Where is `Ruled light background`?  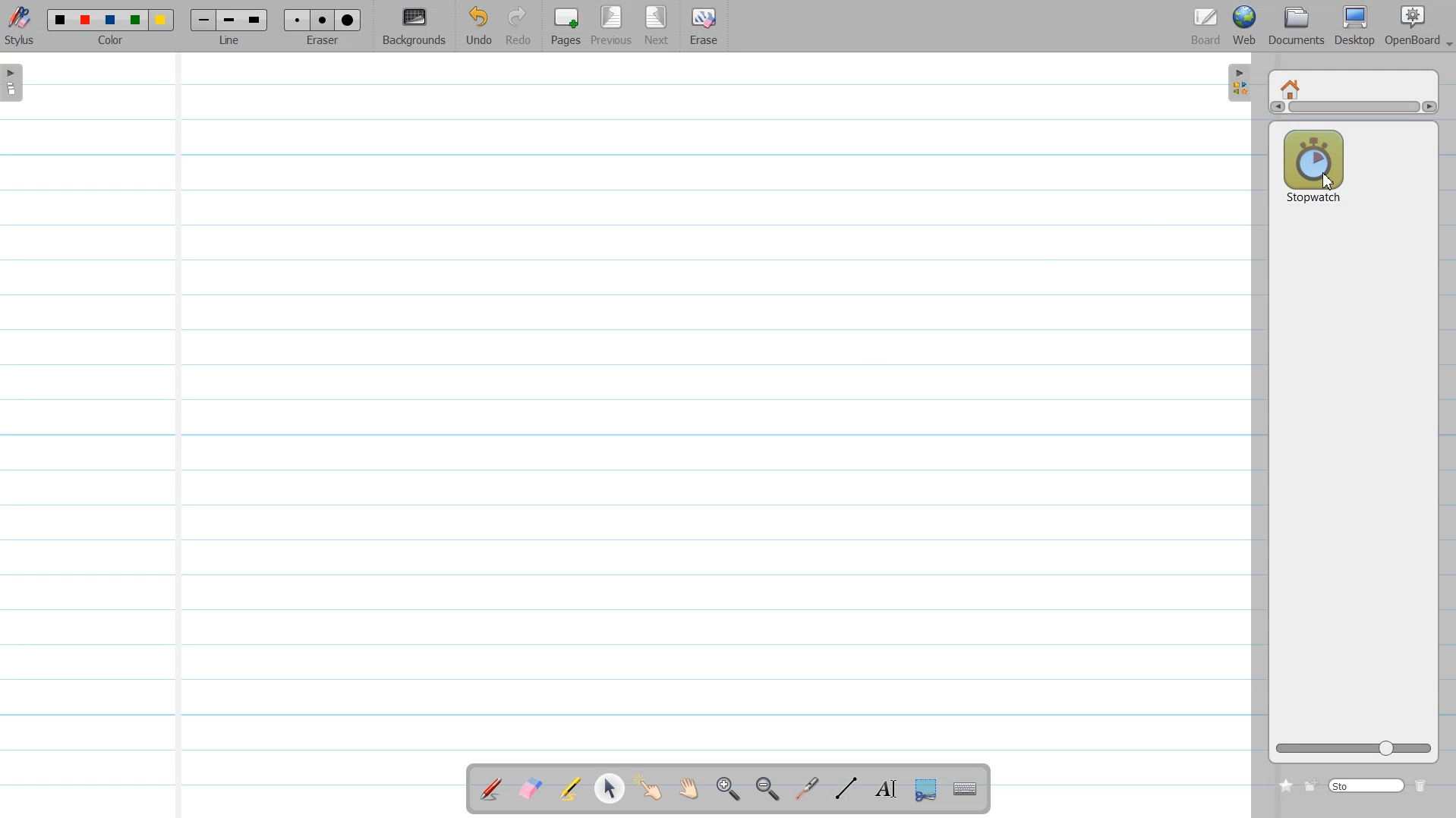
Ruled light background is located at coordinates (627, 411).